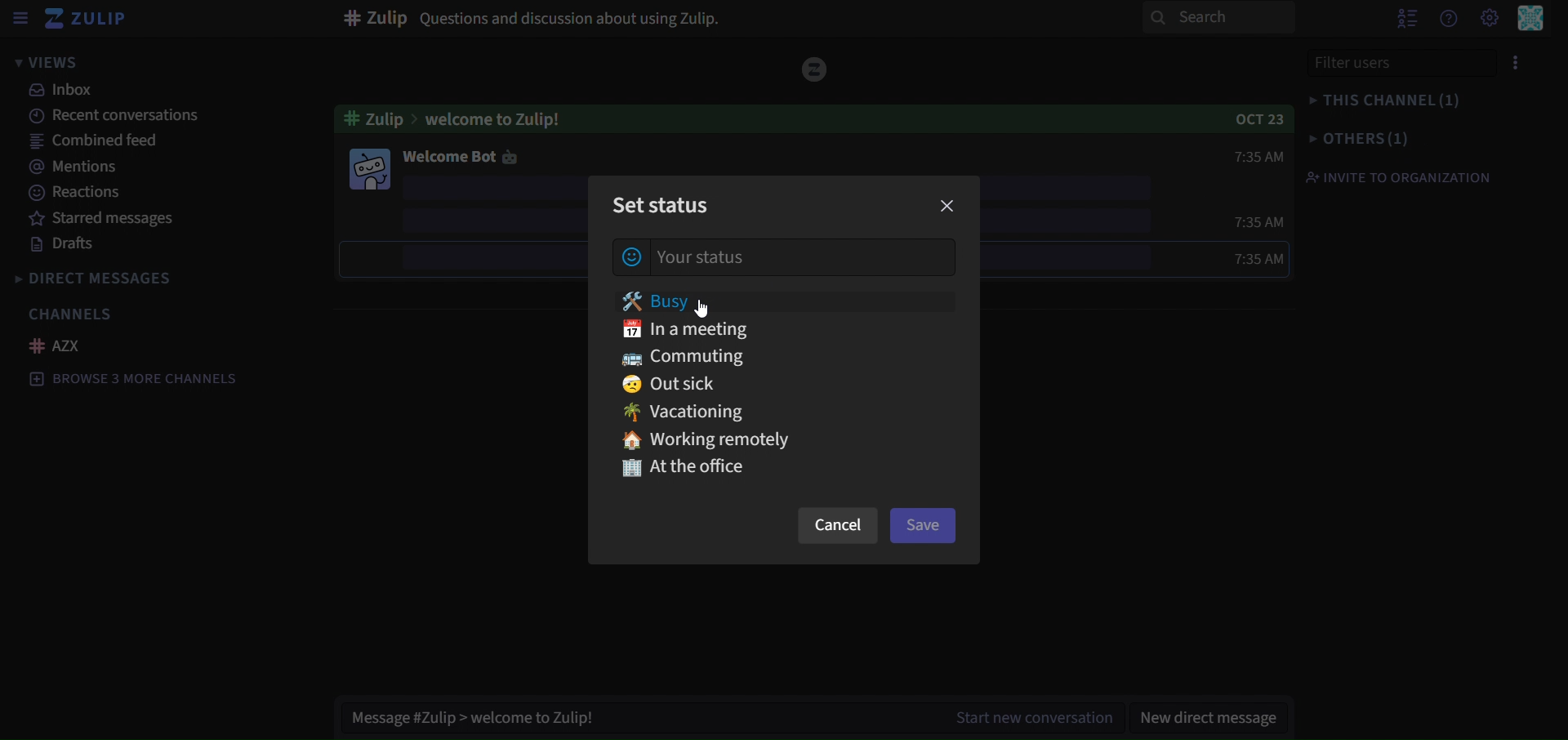 Image resolution: width=1568 pixels, height=740 pixels. Describe the element at coordinates (77, 194) in the screenshot. I see `reactions` at that location.